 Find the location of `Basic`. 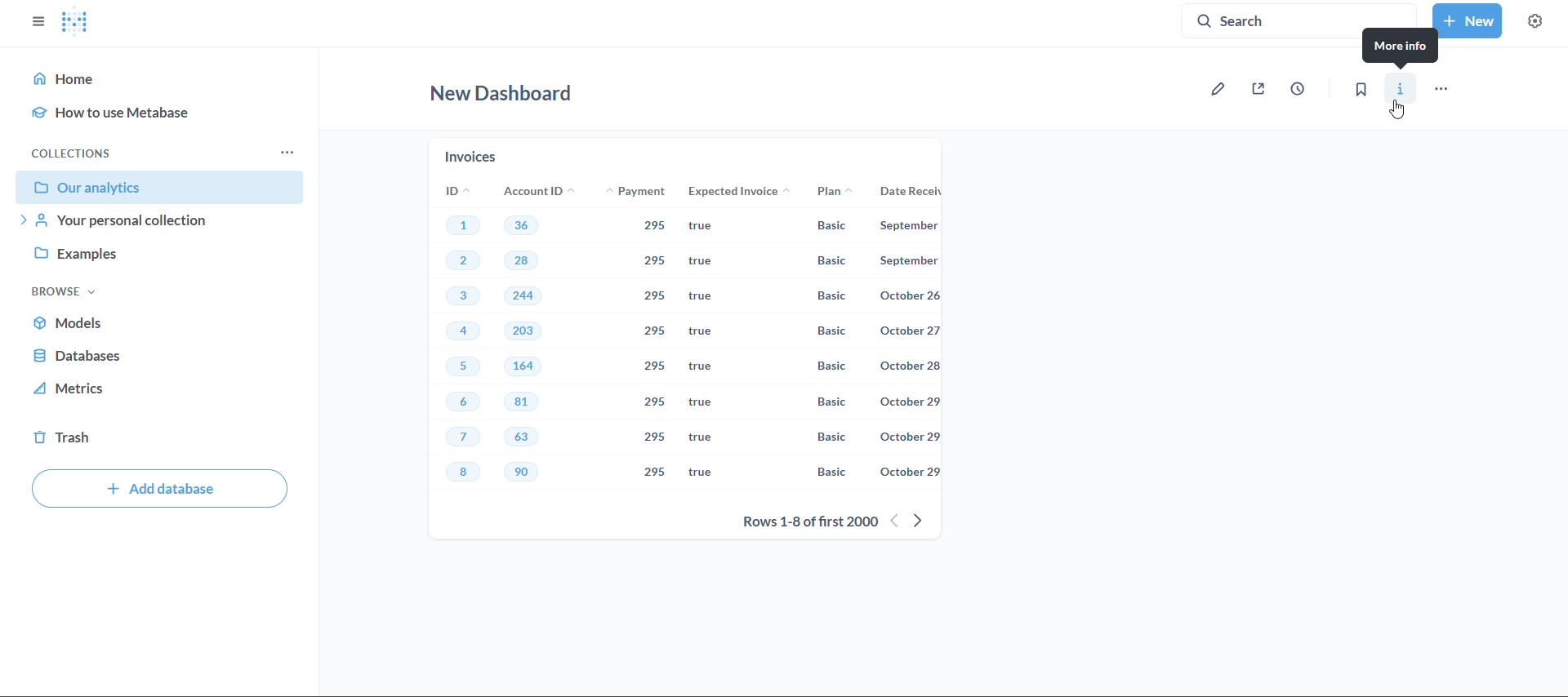

Basic is located at coordinates (827, 300).